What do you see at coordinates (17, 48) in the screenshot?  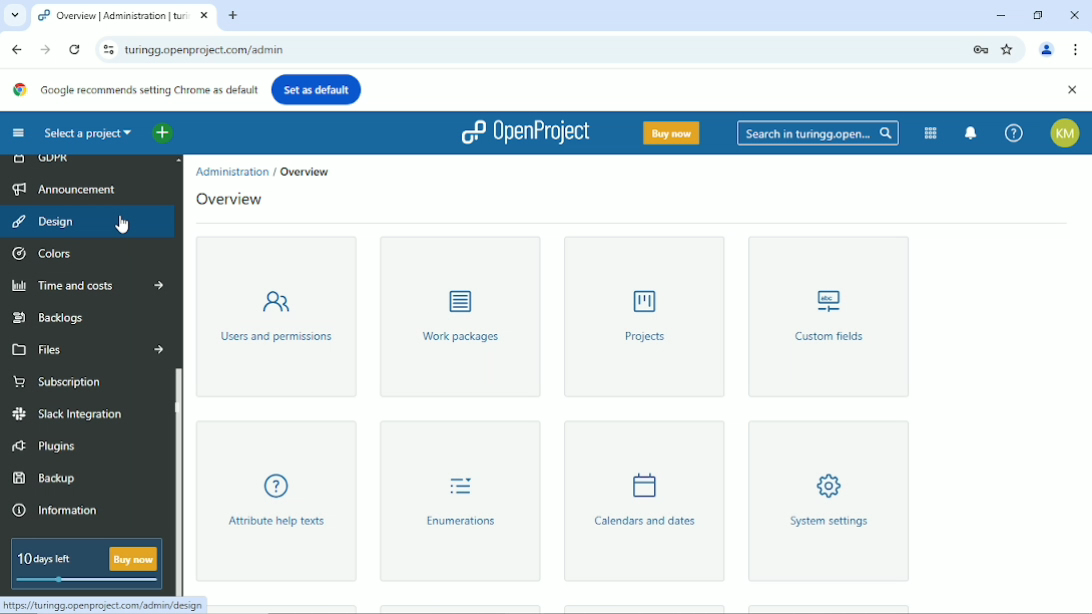 I see `Back` at bounding box center [17, 48].